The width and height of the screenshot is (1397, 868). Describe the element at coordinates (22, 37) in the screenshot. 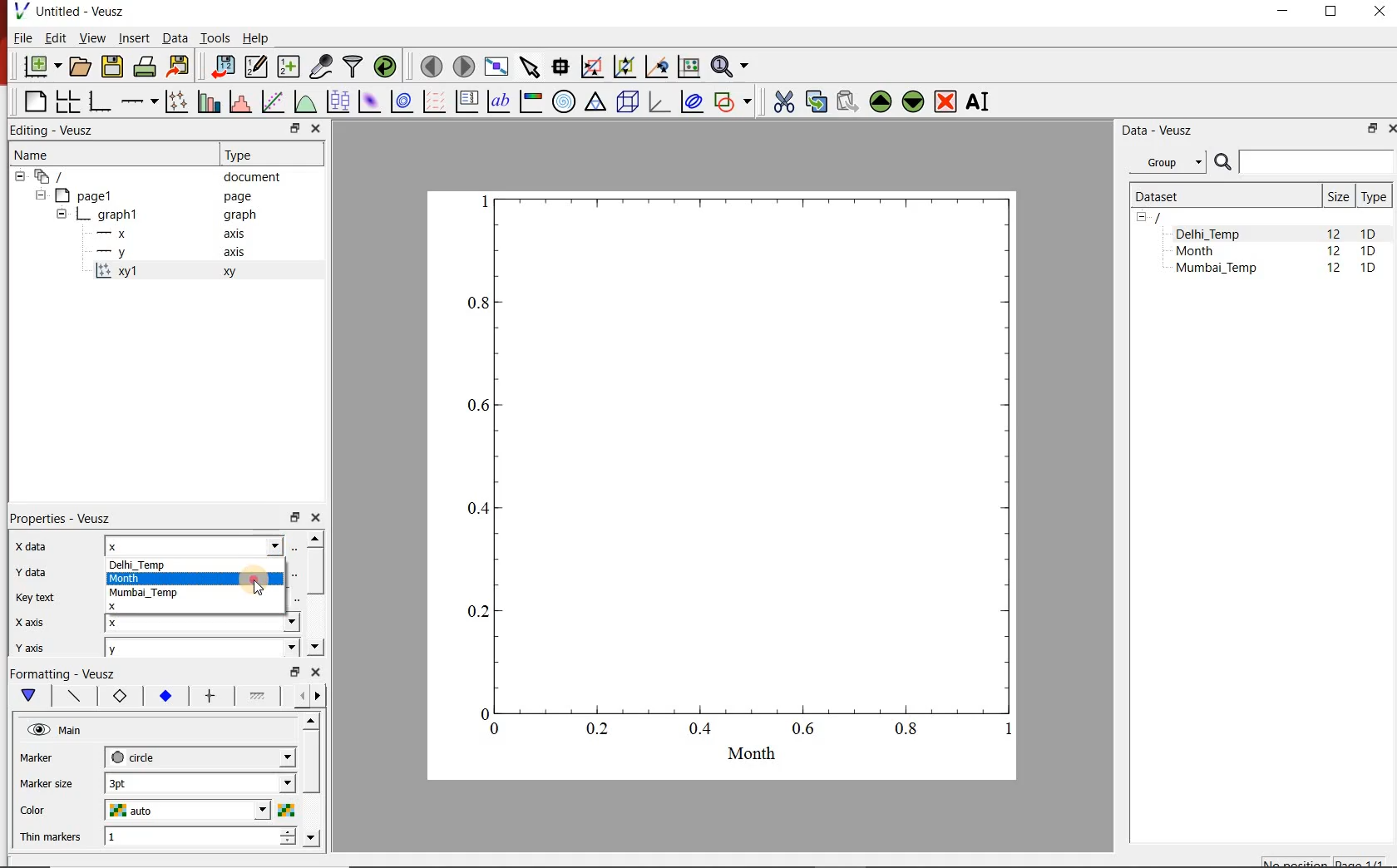

I see `File` at that location.